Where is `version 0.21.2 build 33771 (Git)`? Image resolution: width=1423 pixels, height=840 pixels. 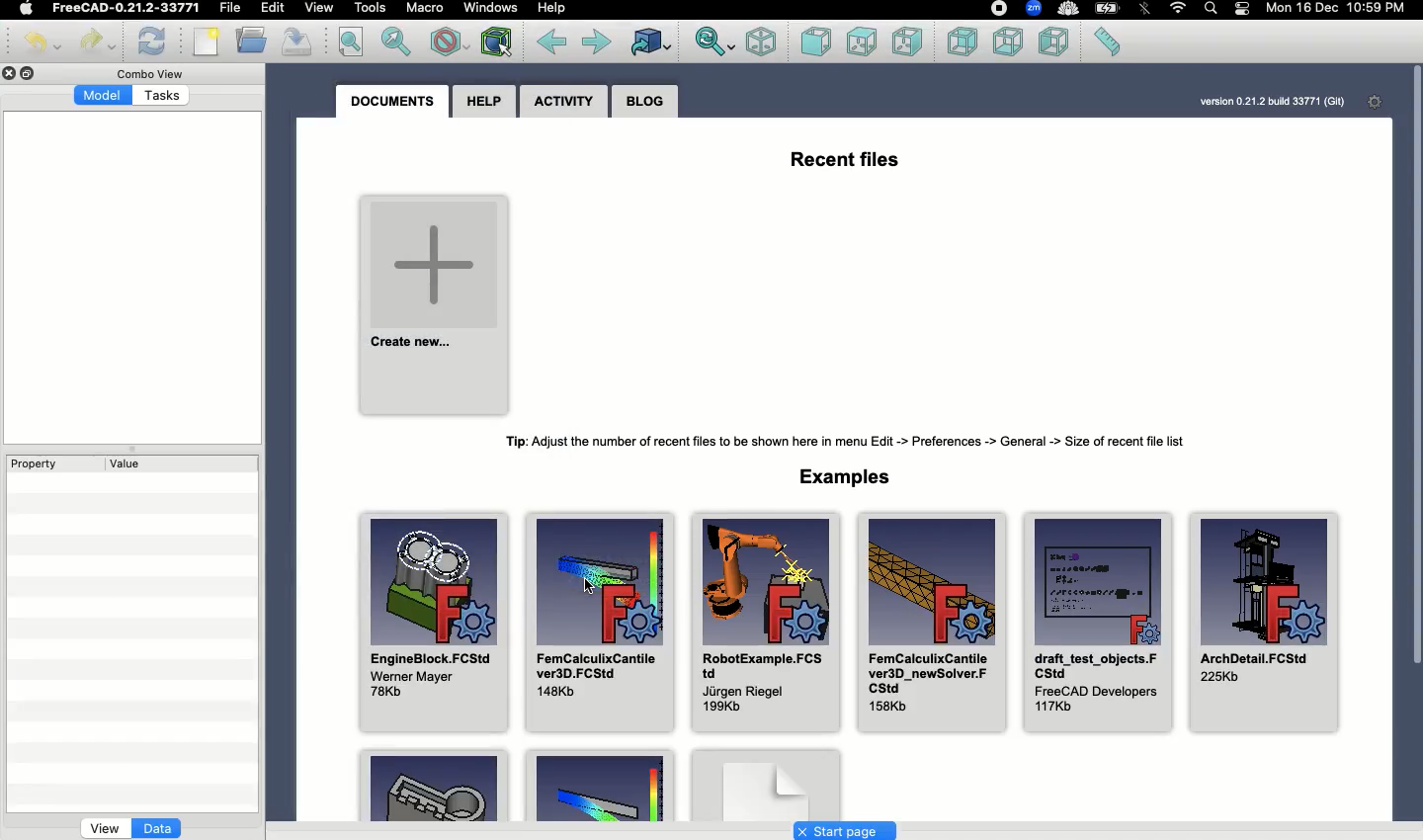 version 0.21.2 build 33771 (Git) is located at coordinates (1272, 102).